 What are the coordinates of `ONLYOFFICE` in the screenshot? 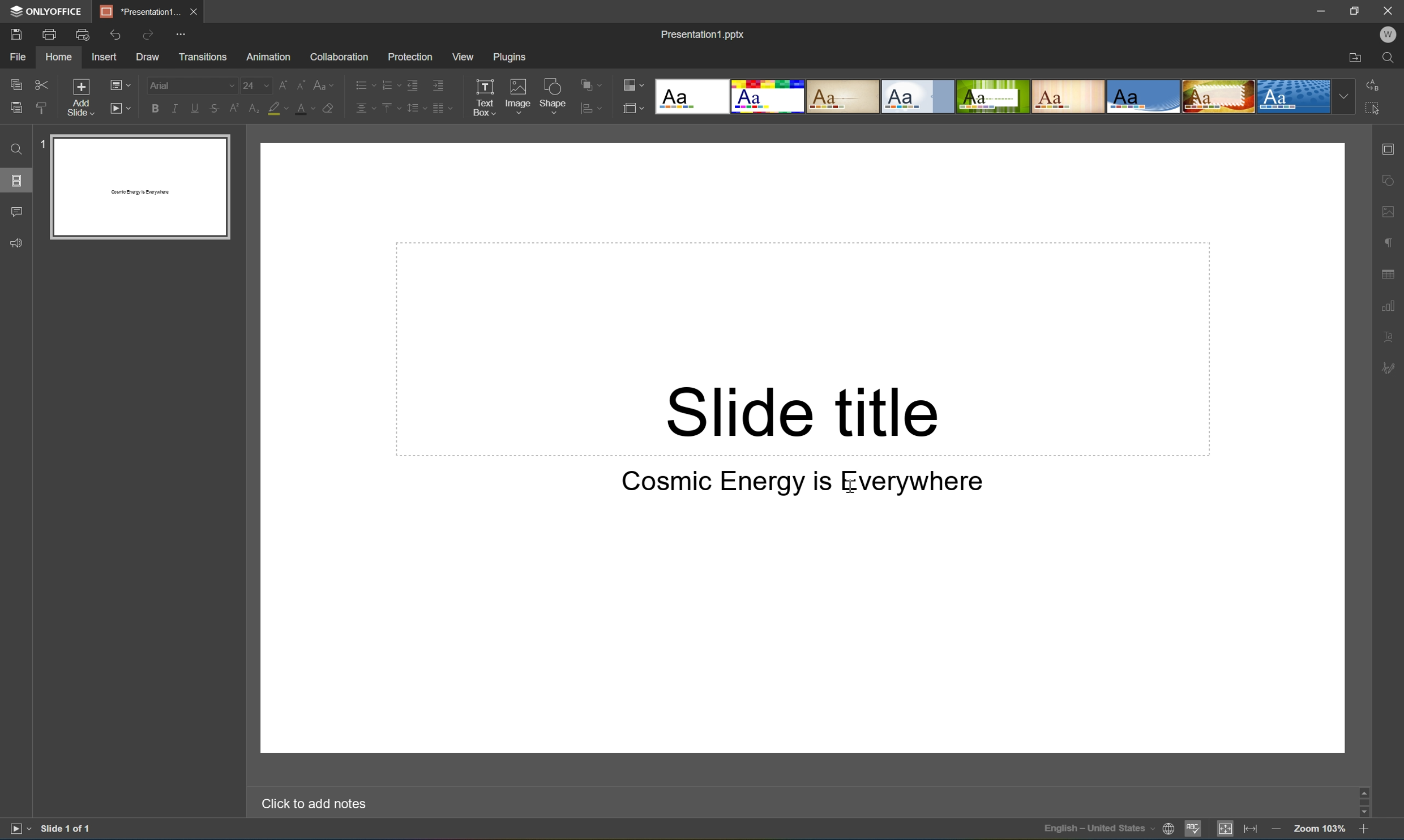 It's located at (48, 12).